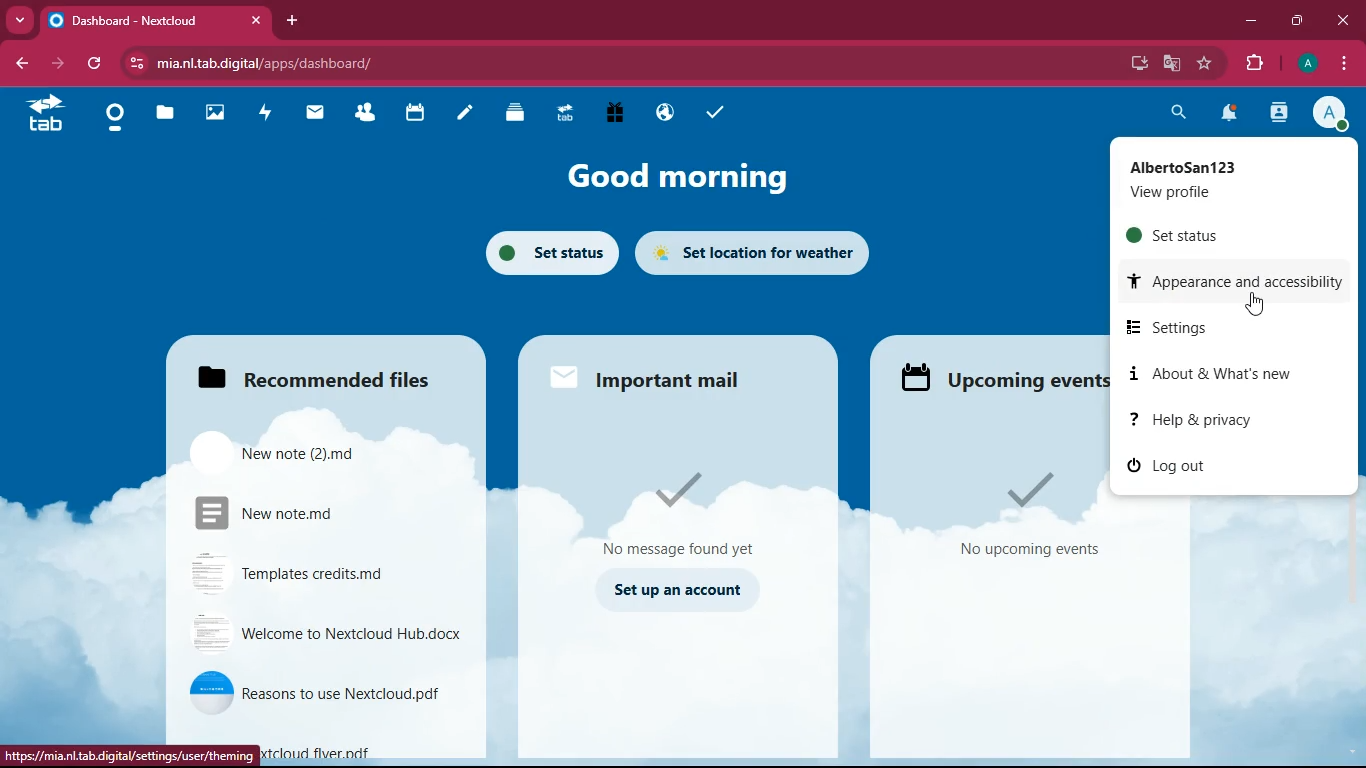  What do you see at coordinates (1027, 515) in the screenshot?
I see `events` at bounding box center [1027, 515].